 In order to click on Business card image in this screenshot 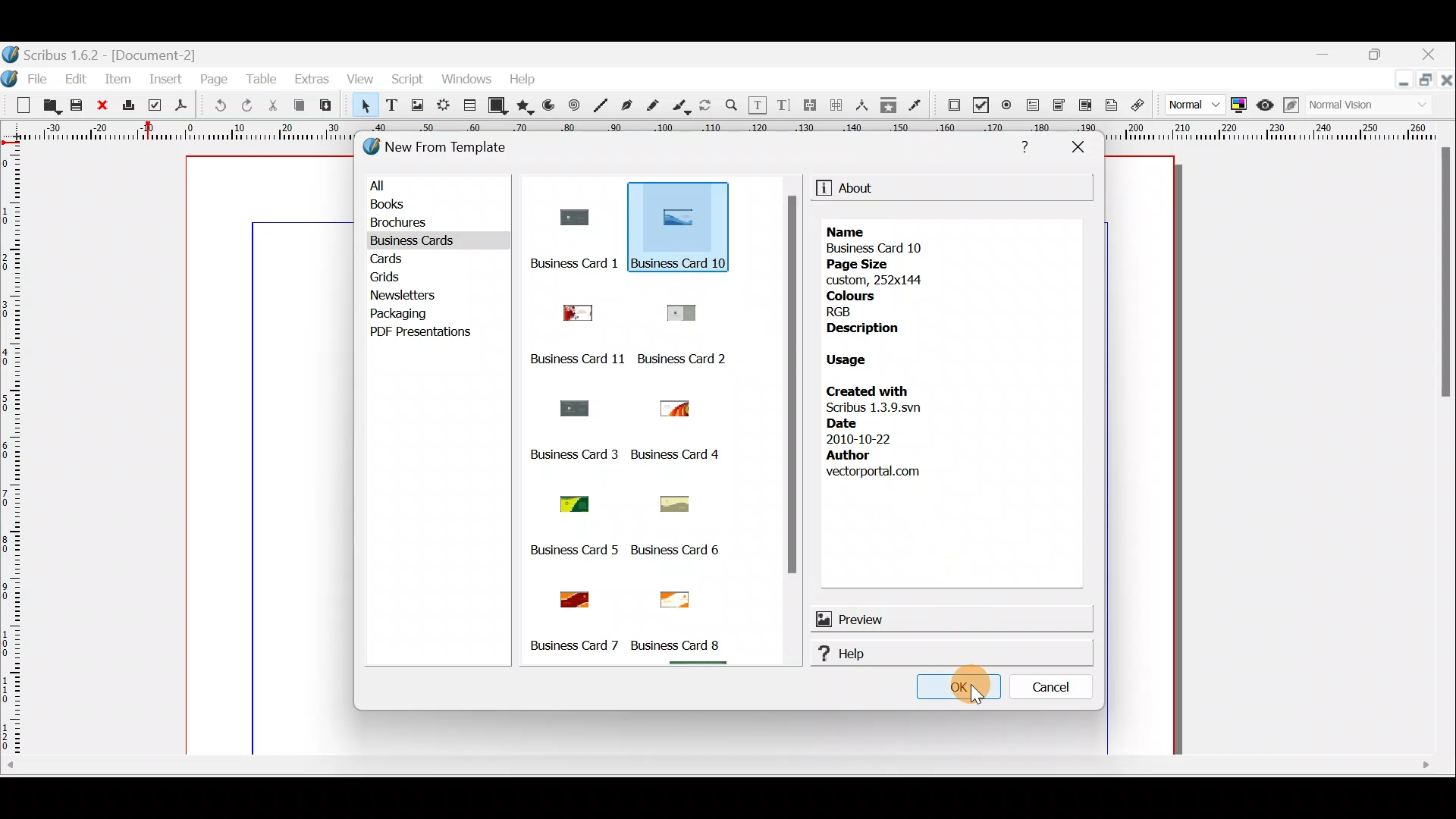, I will do `click(568, 217)`.